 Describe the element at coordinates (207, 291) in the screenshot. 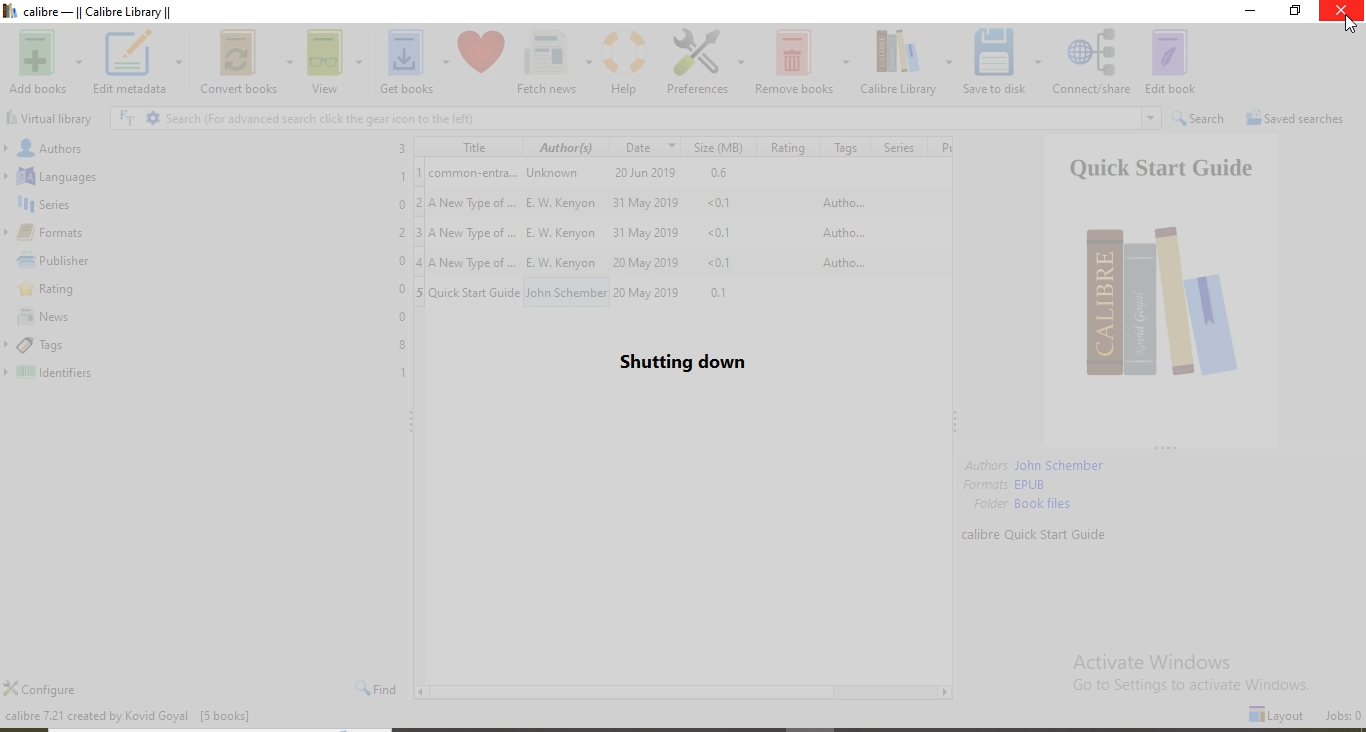

I see `Rating` at that location.